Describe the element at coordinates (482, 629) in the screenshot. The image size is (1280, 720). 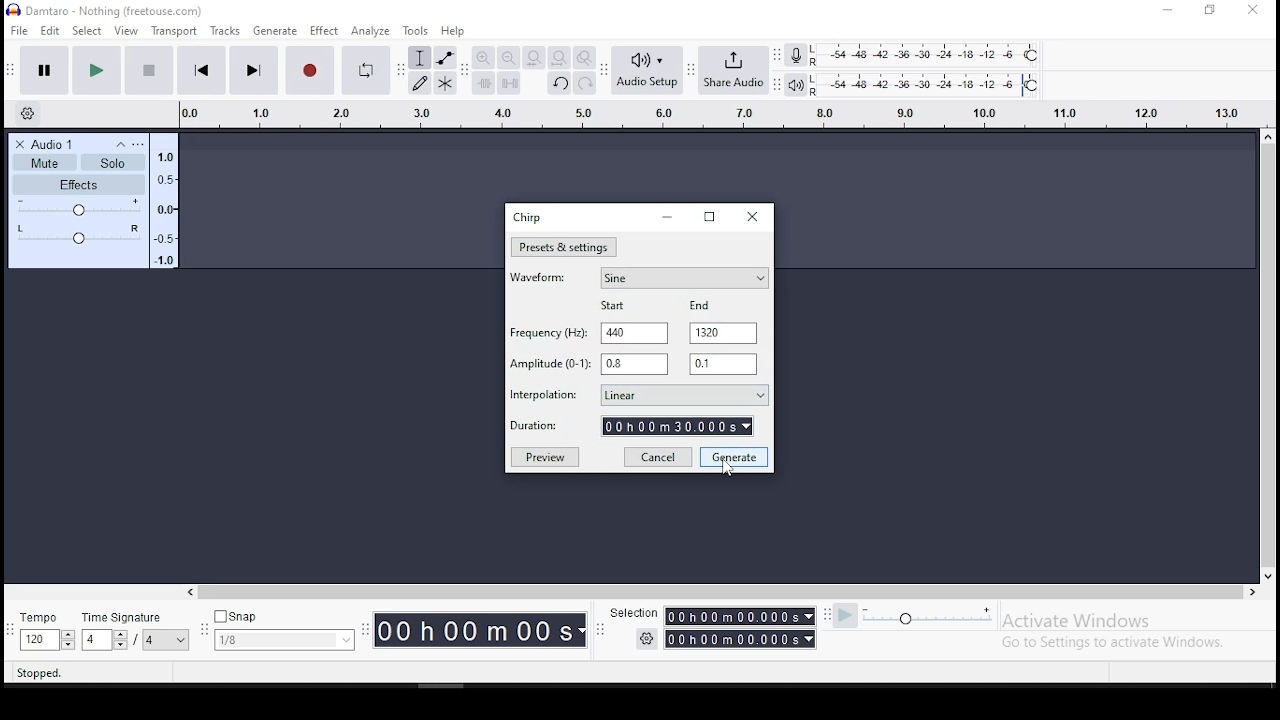
I see `duration` at that location.